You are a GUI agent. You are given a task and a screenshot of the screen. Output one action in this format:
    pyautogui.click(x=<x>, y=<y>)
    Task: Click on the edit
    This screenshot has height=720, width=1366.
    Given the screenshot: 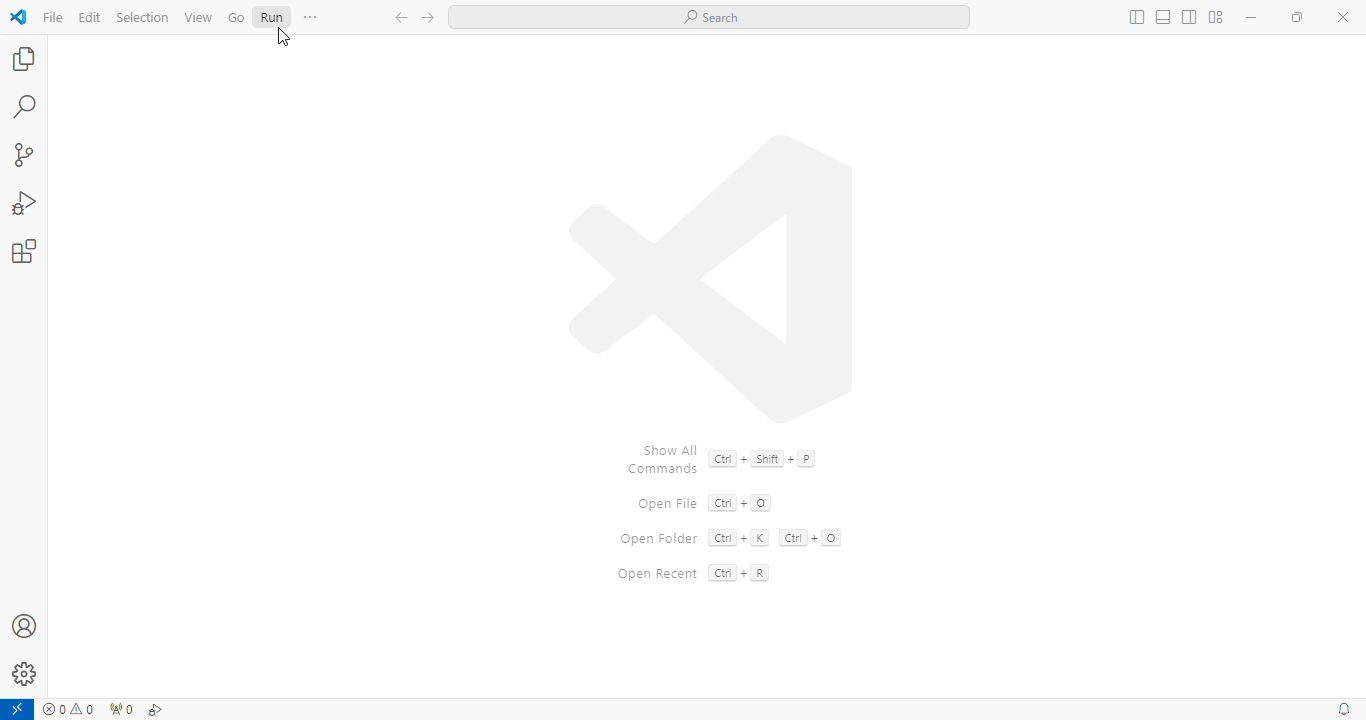 What is the action you would take?
    pyautogui.click(x=90, y=17)
    